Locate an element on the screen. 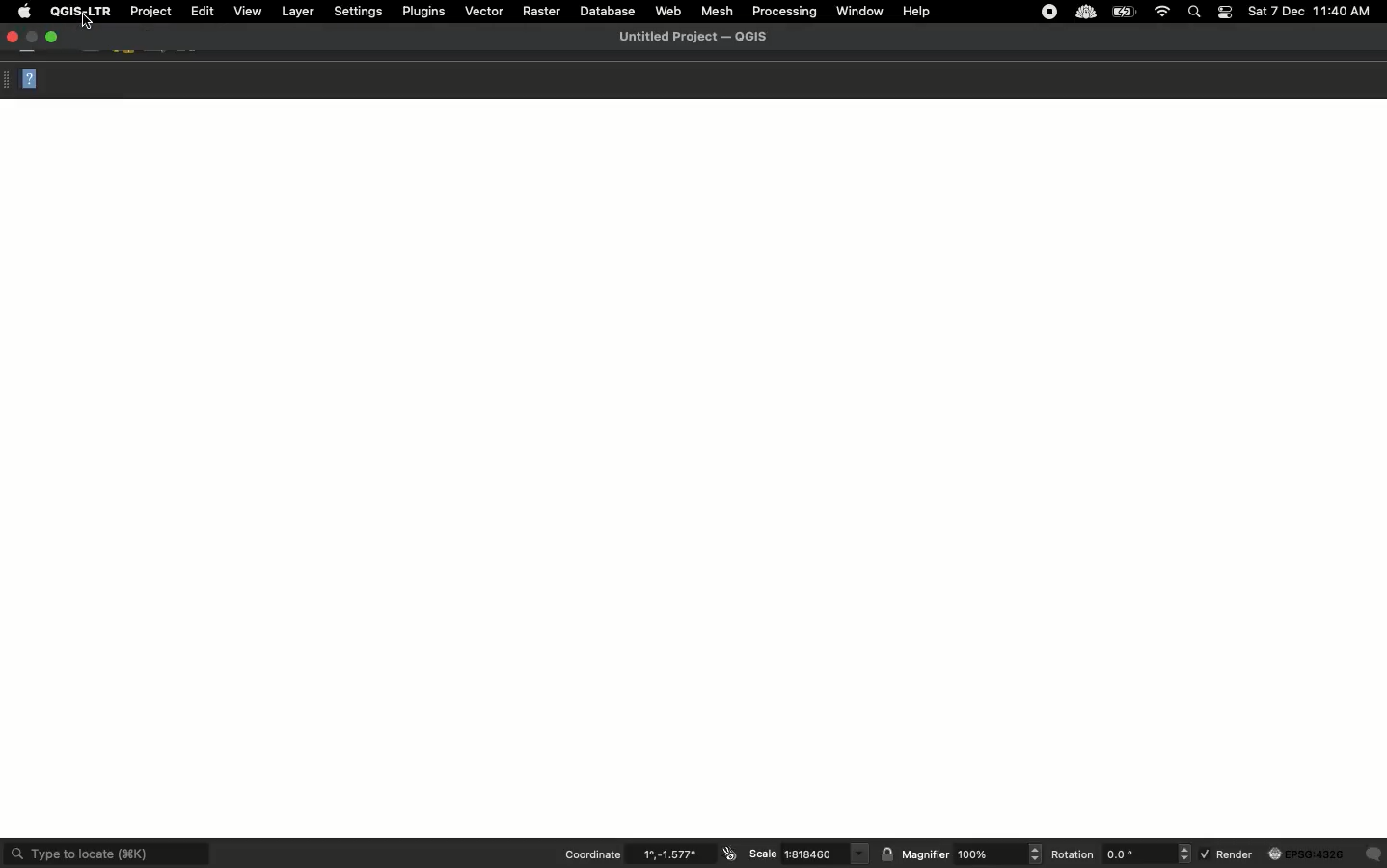 The height and width of the screenshot is (868, 1387). Help is located at coordinates (917, 12).